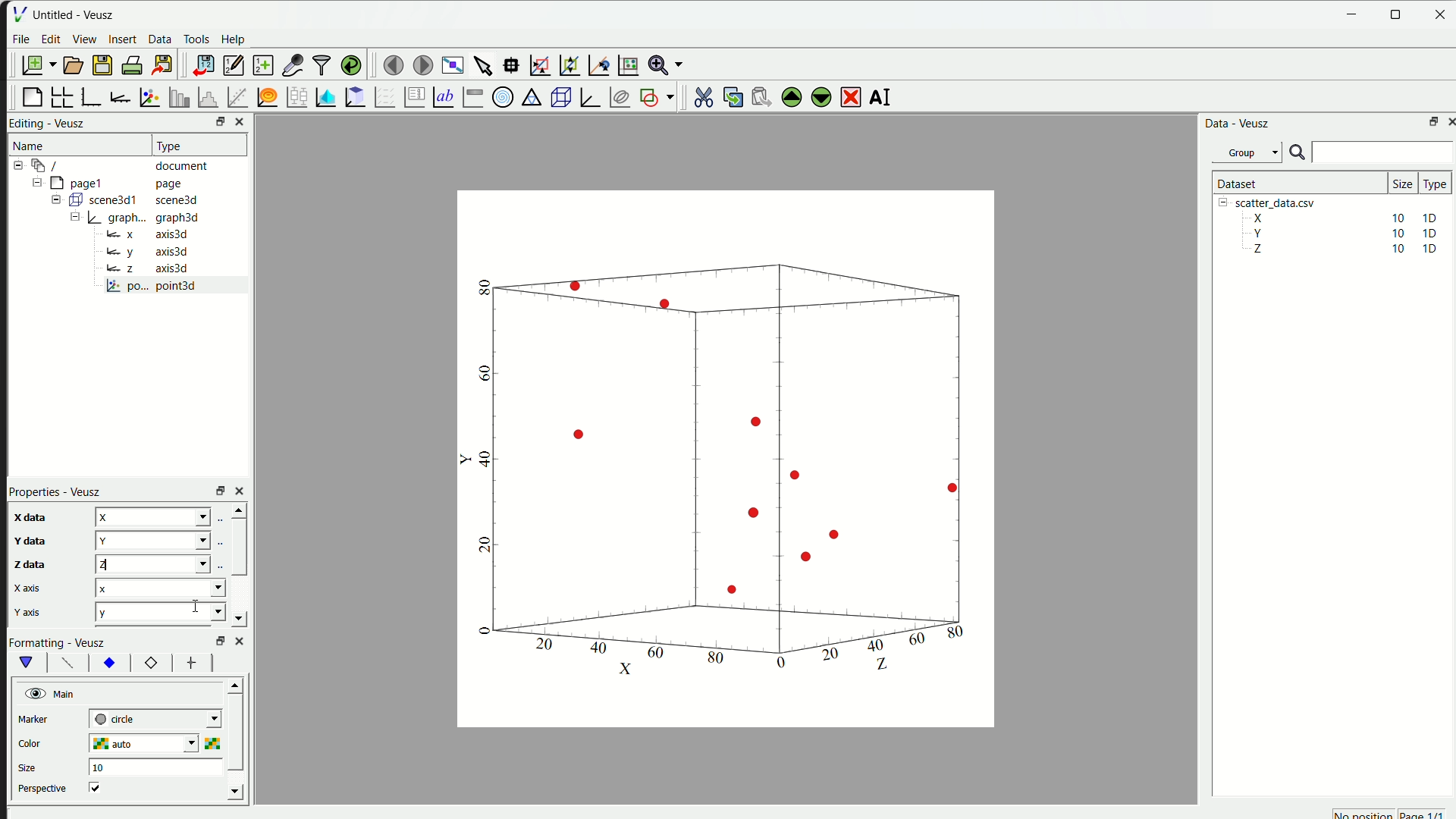  Describe the element at coordinates (72, 64) in the screenshot. I see `open a document` at that location.